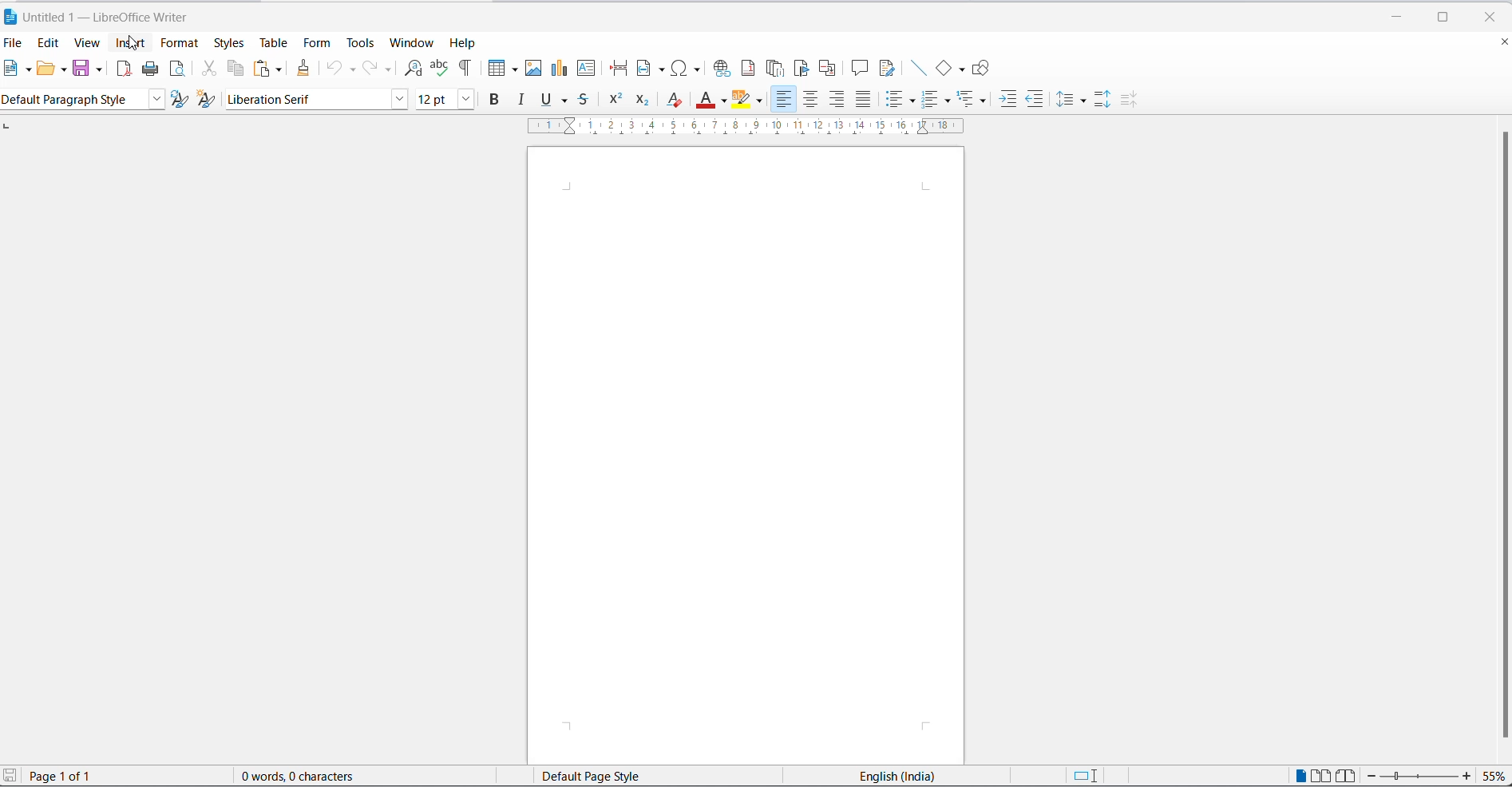  I want to click on insert text, so click(594, 69).